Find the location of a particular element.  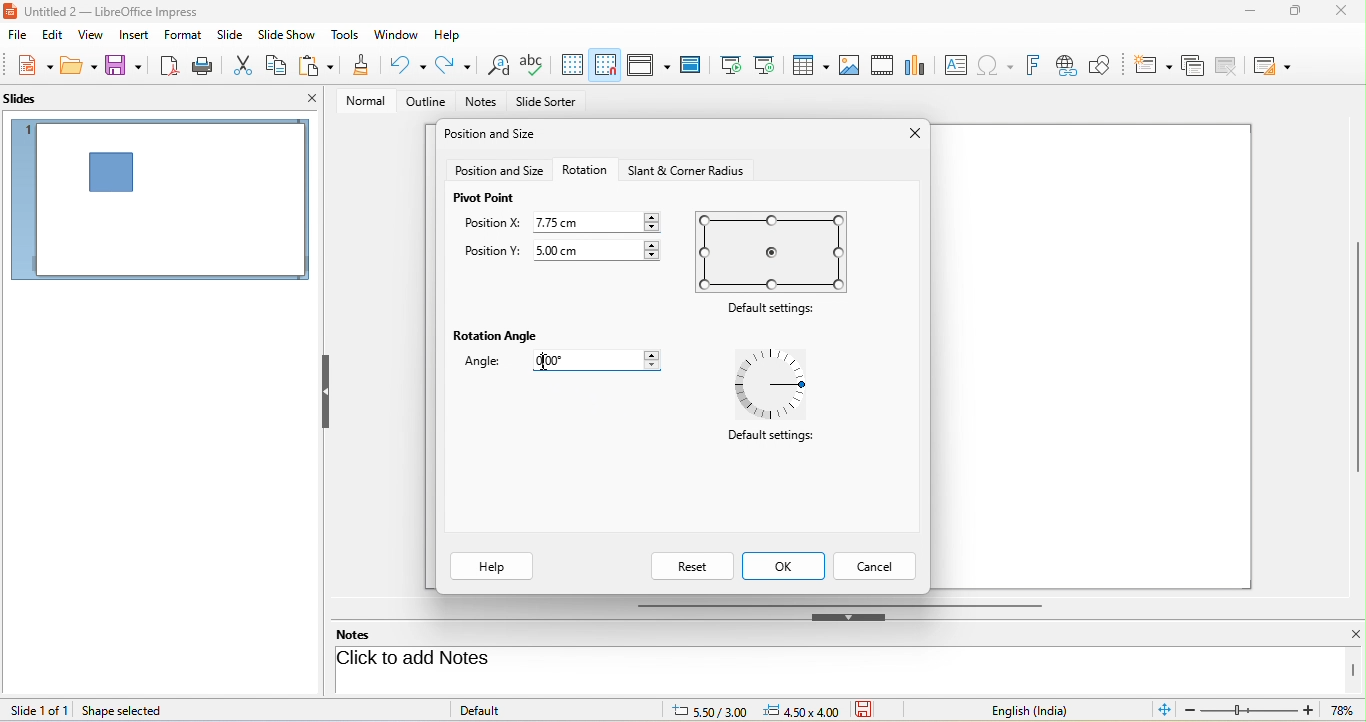

click to add notes is located at coordinates (492, 660).